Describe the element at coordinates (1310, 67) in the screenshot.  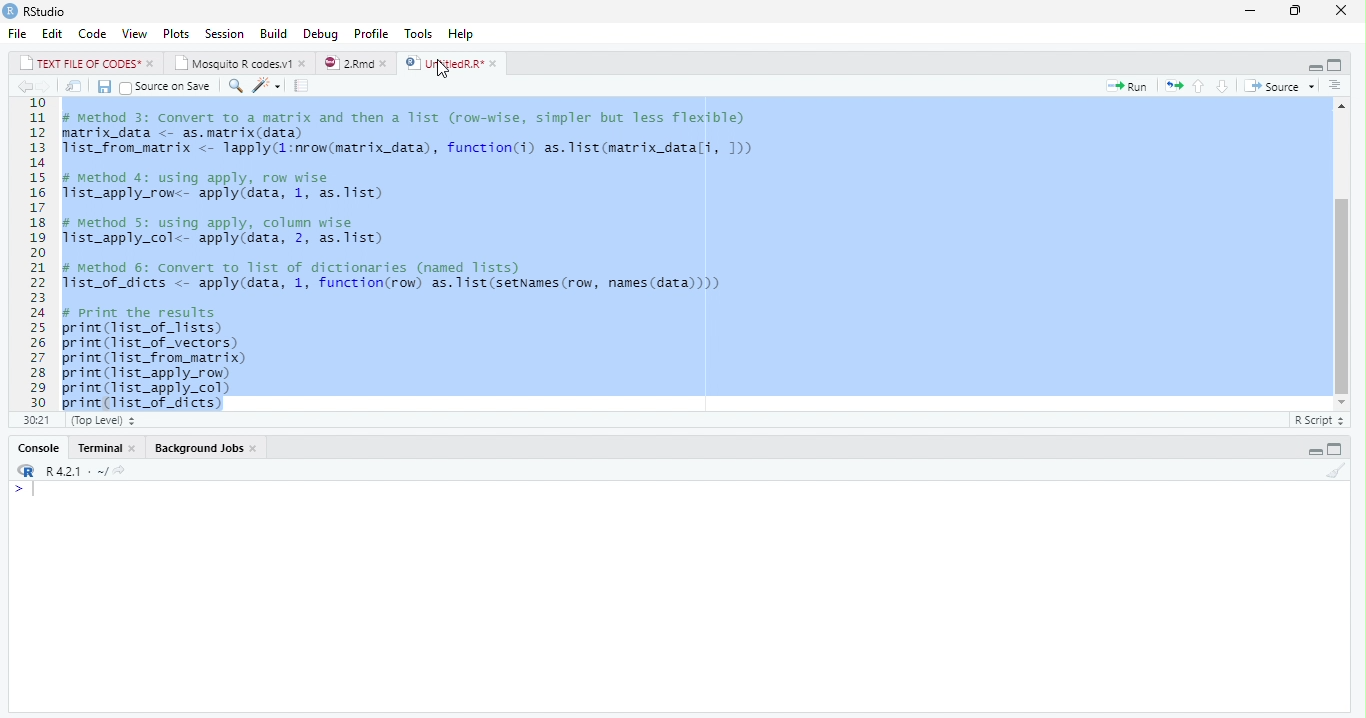
I see `Hide` at that location.